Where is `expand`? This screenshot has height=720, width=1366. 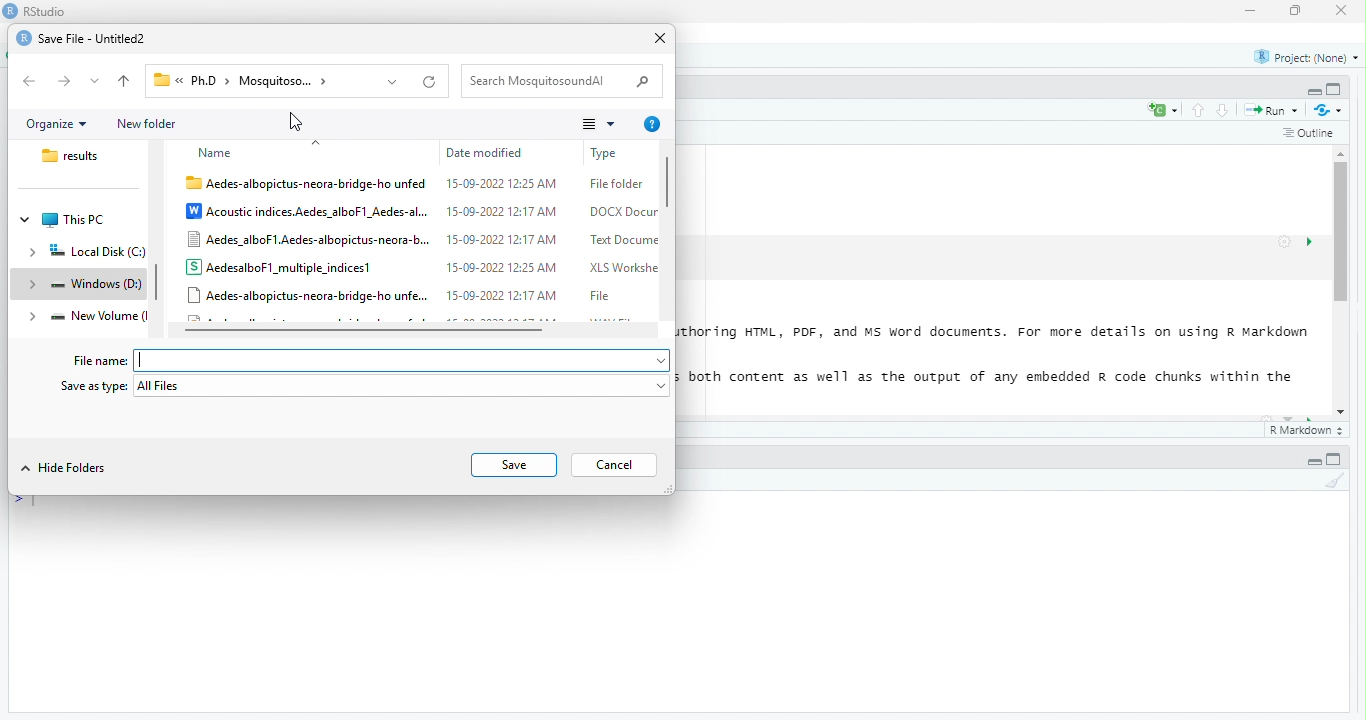 expand is located at coordinates (34, 318).